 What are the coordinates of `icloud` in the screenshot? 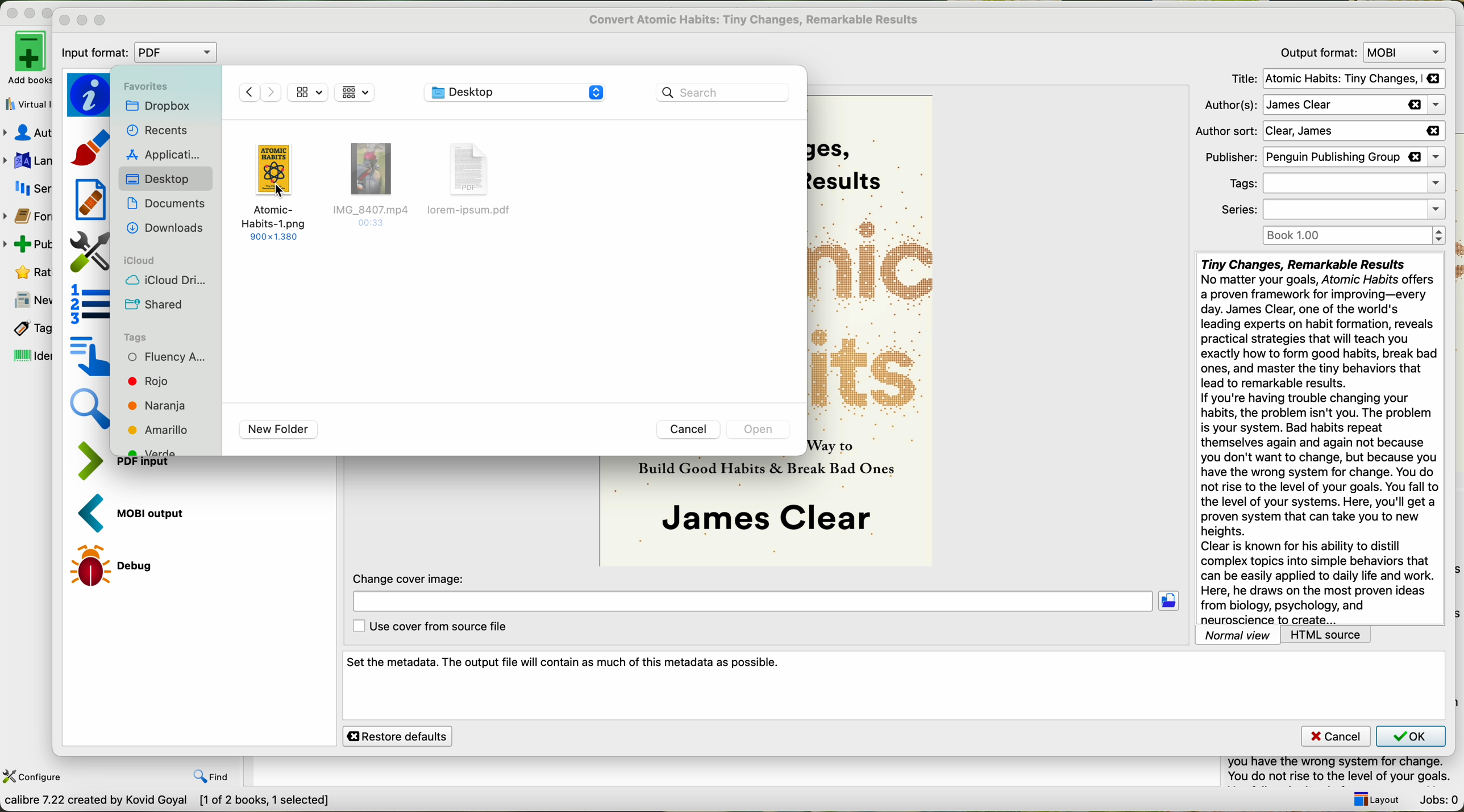 It's located at (143, 260).